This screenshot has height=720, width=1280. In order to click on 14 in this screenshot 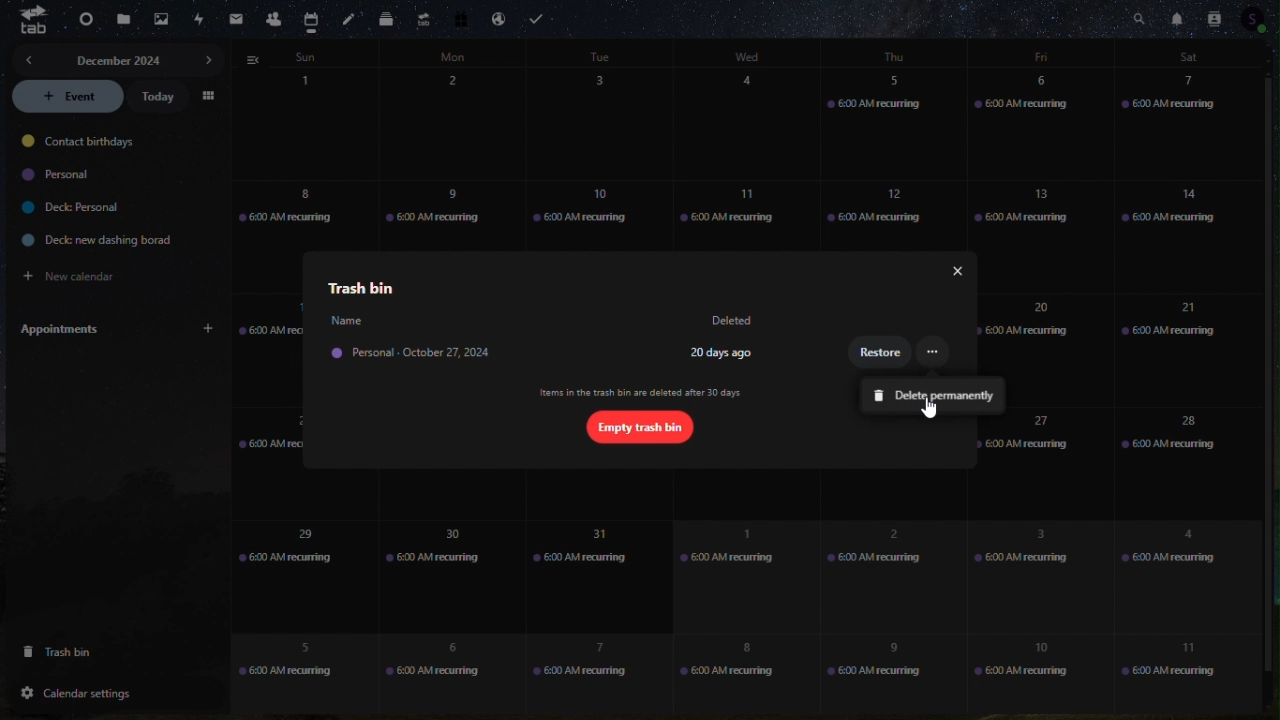, I will do `click(1189, 235)`.